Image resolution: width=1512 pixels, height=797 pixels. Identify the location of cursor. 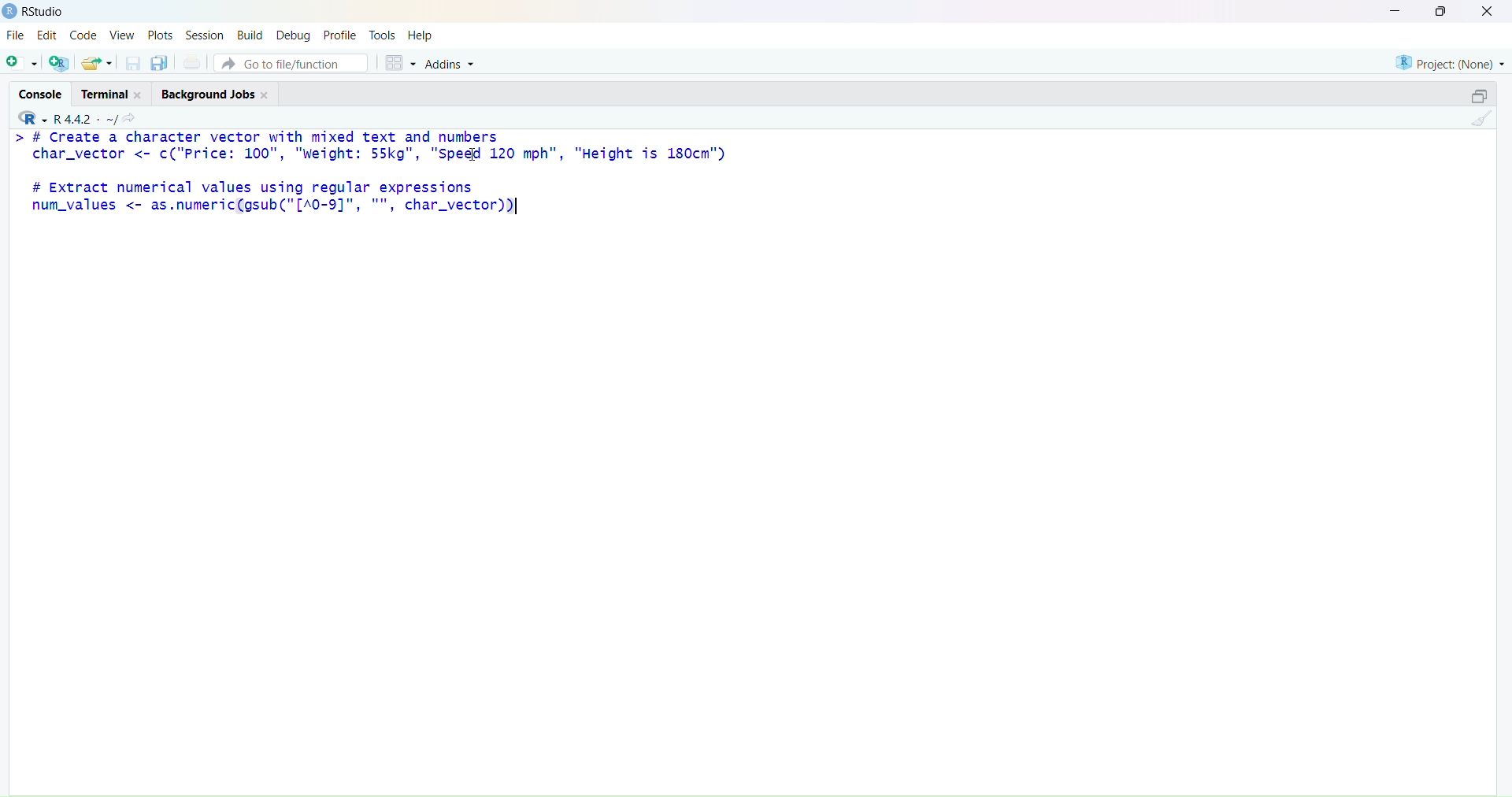
(475, 154).